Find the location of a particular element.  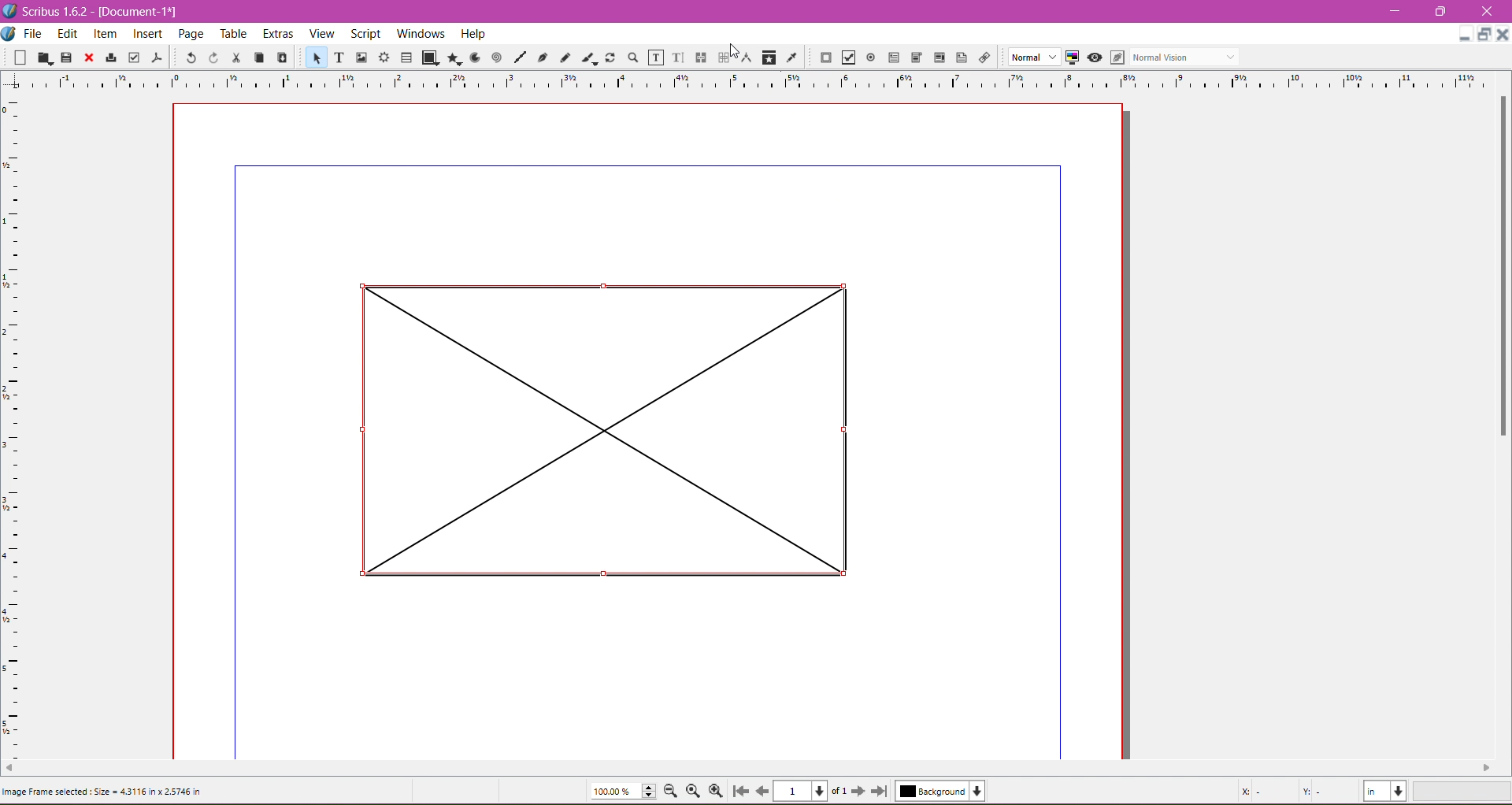

Go to the first page is located at coordinates (743, 791).